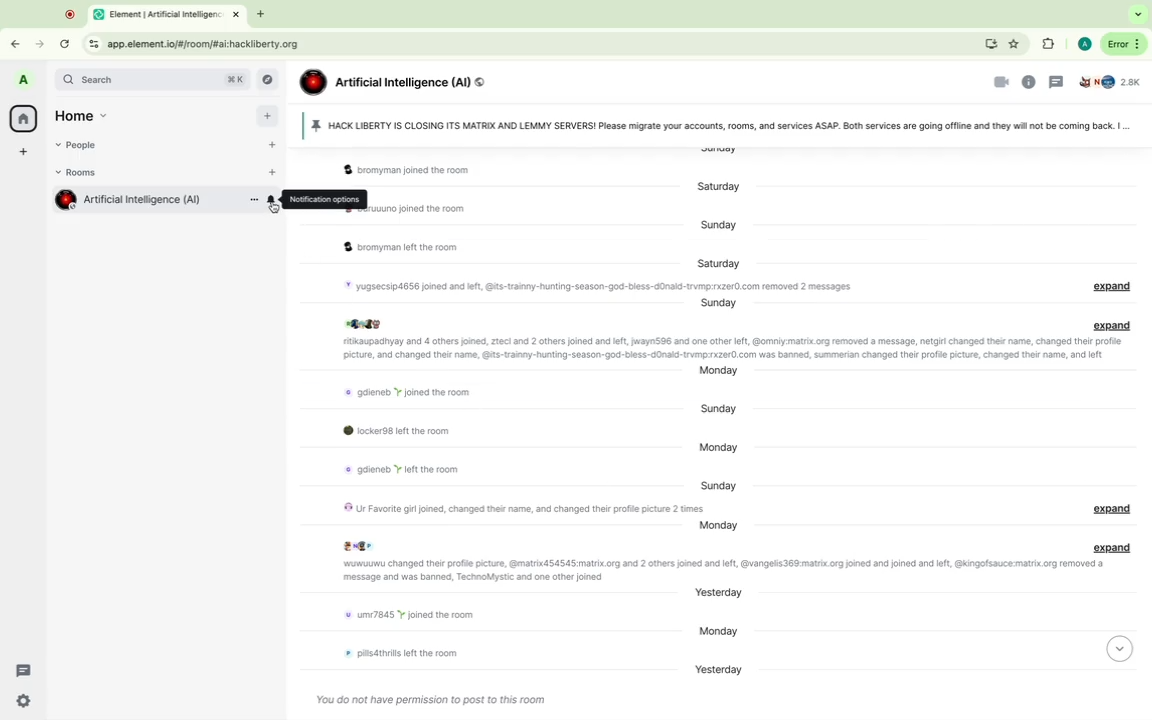 The image size is (1152, 720). Describe the element at coordinates (717, 449) in the screenshot. I see `Day` at that location.